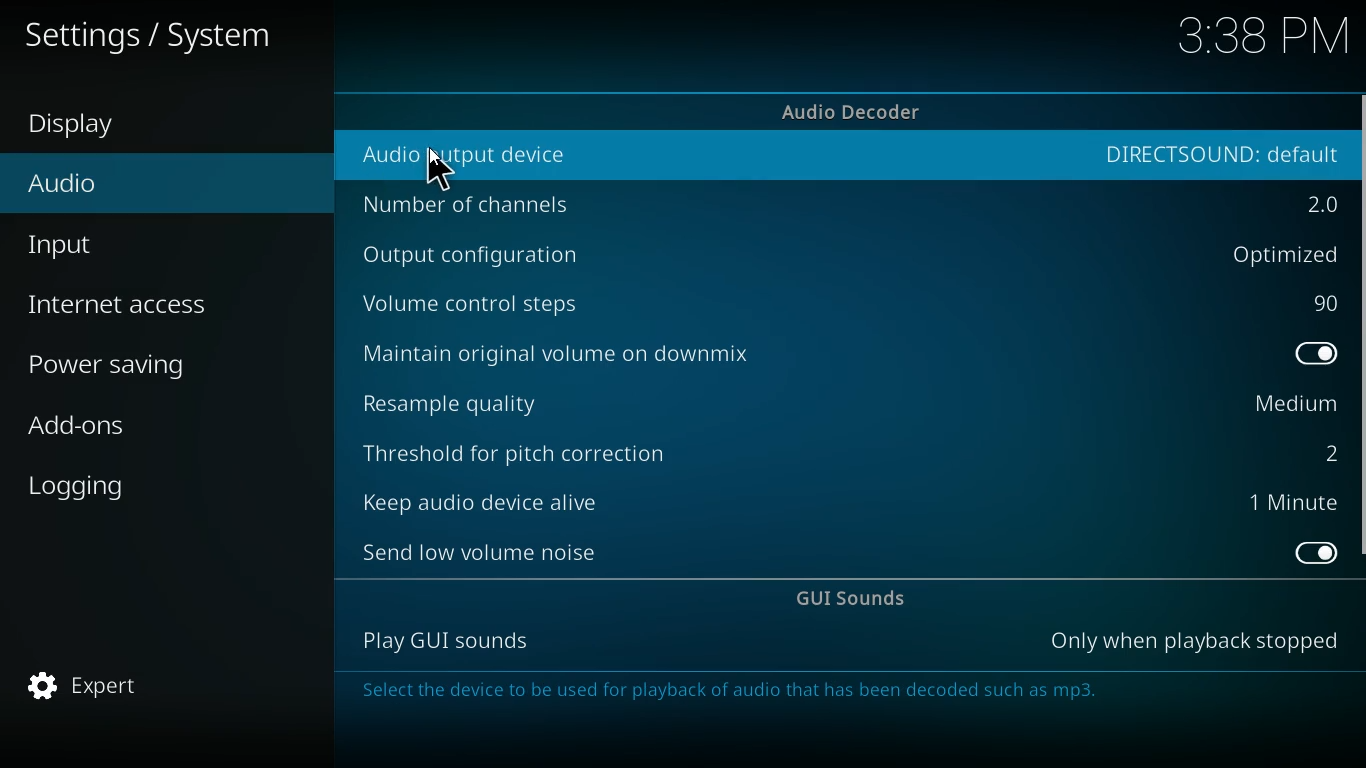  I want to click on audio output device, so click(464, 157).